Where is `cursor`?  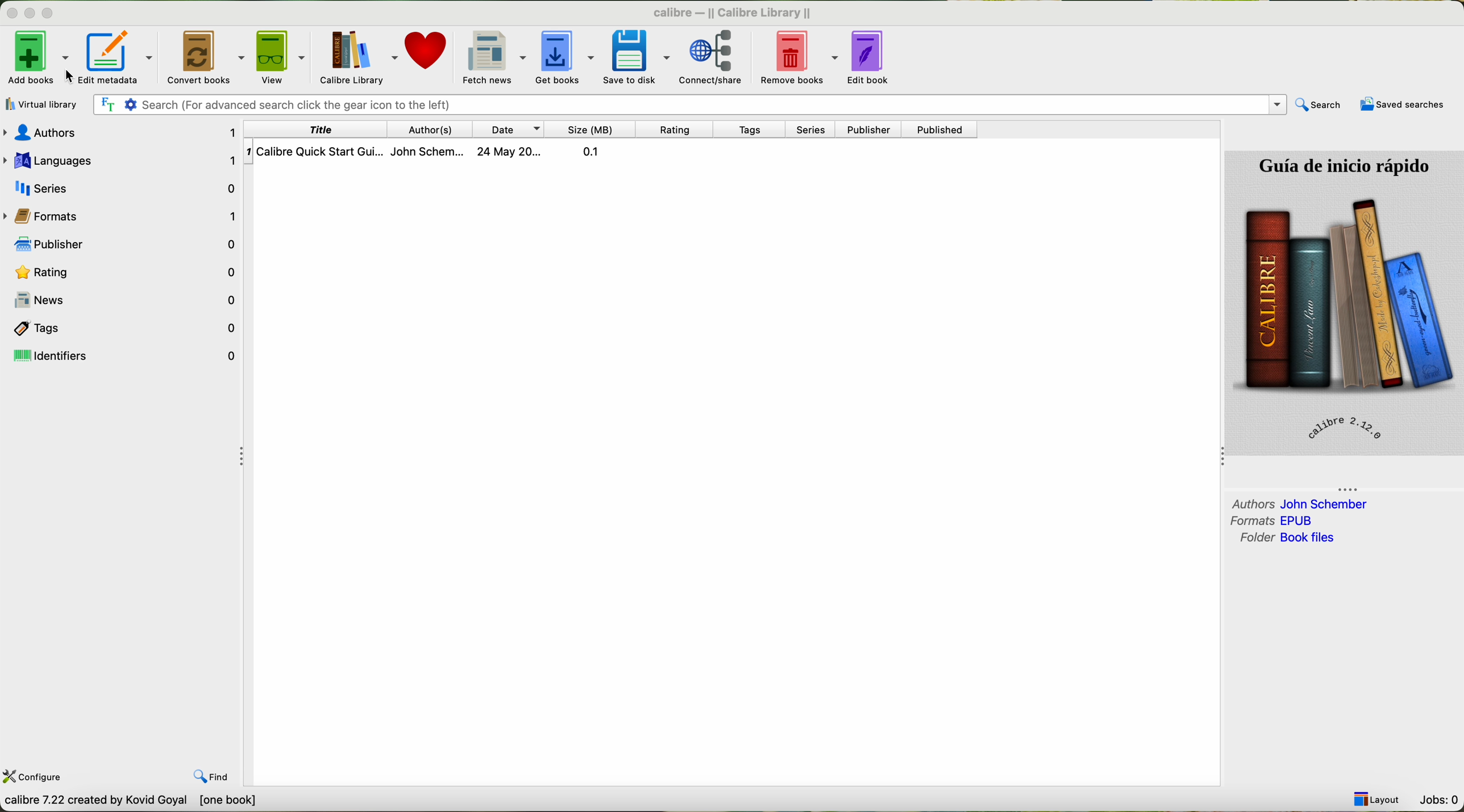
cursor is located at coordinates (58, 72).